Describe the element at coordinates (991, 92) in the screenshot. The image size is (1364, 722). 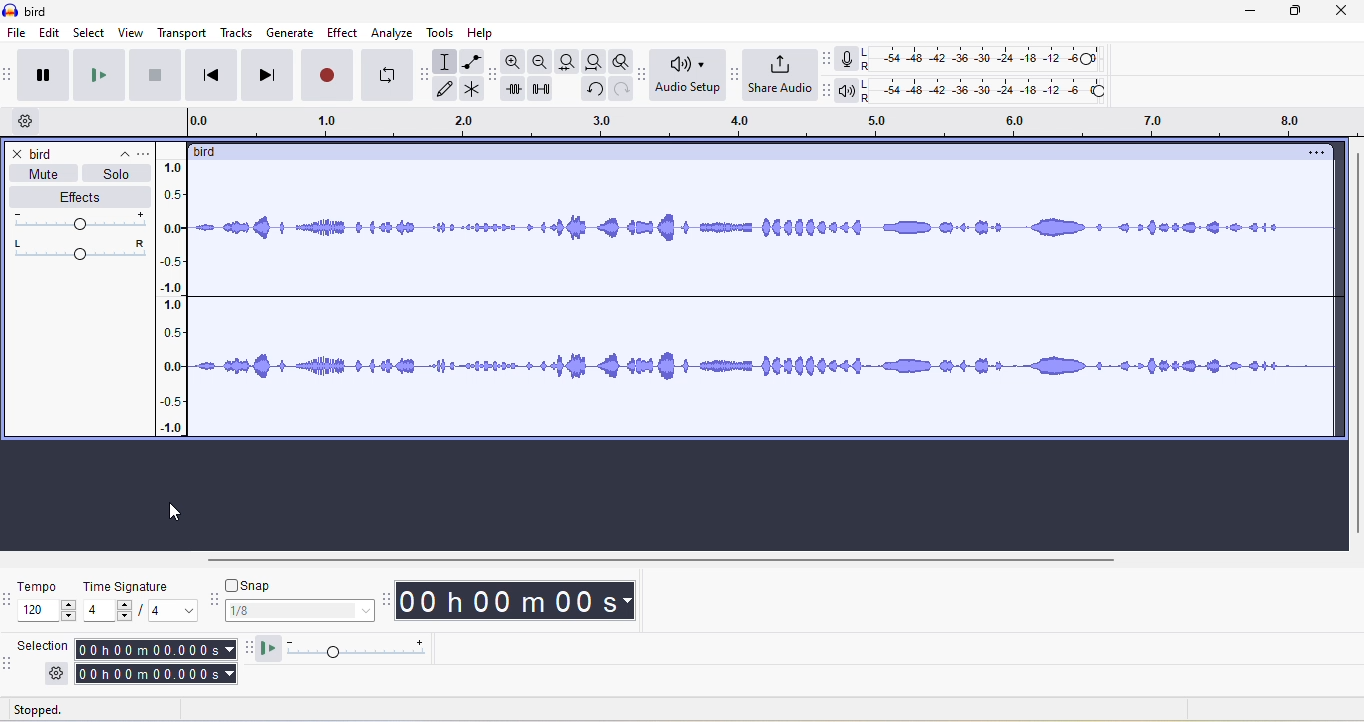
I see `playback level` at that location.